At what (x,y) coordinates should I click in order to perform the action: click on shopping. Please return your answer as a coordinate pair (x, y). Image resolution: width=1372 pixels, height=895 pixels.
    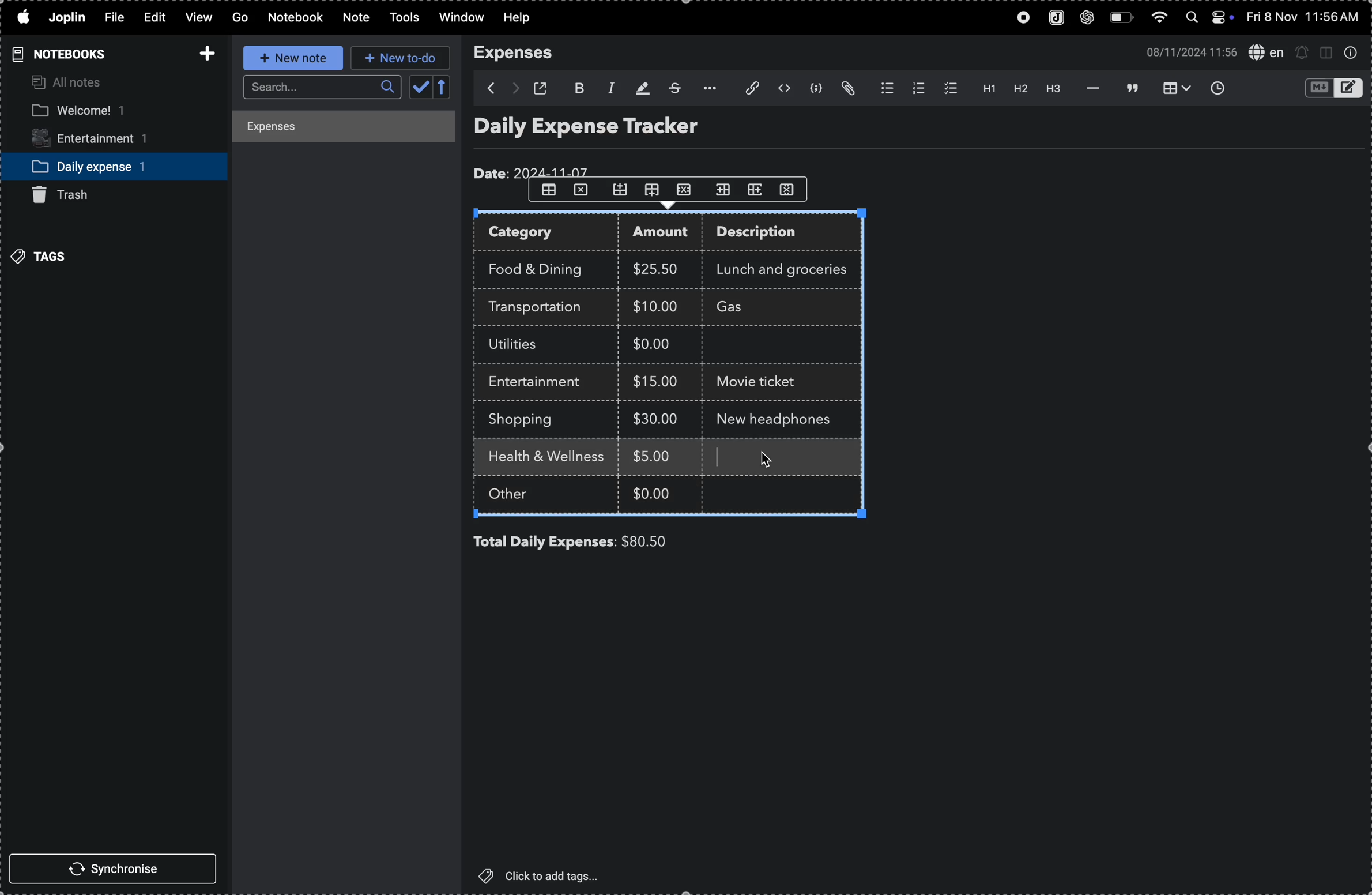
    Looking at the image, I should click on (529, 420).